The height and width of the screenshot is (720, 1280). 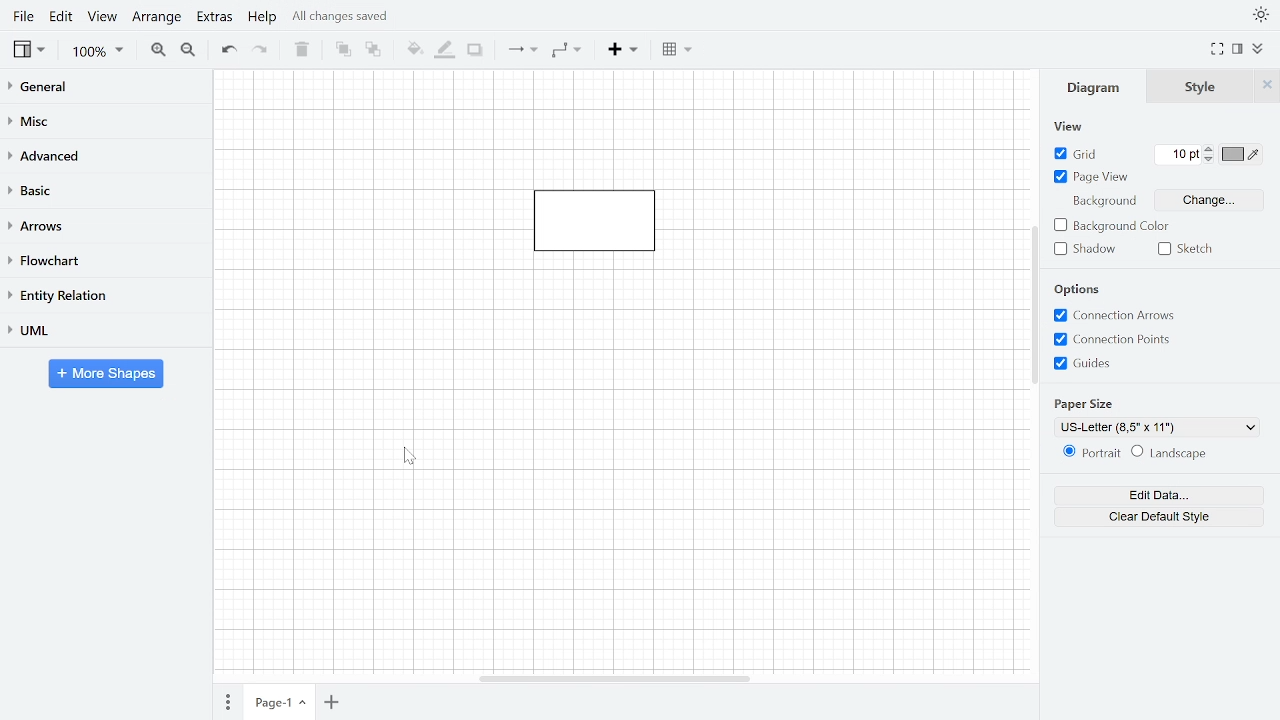 What do you see at coordinates (1171, 453) in the screenshot?
I see `Landscape` at bounding box center [1171, 453].